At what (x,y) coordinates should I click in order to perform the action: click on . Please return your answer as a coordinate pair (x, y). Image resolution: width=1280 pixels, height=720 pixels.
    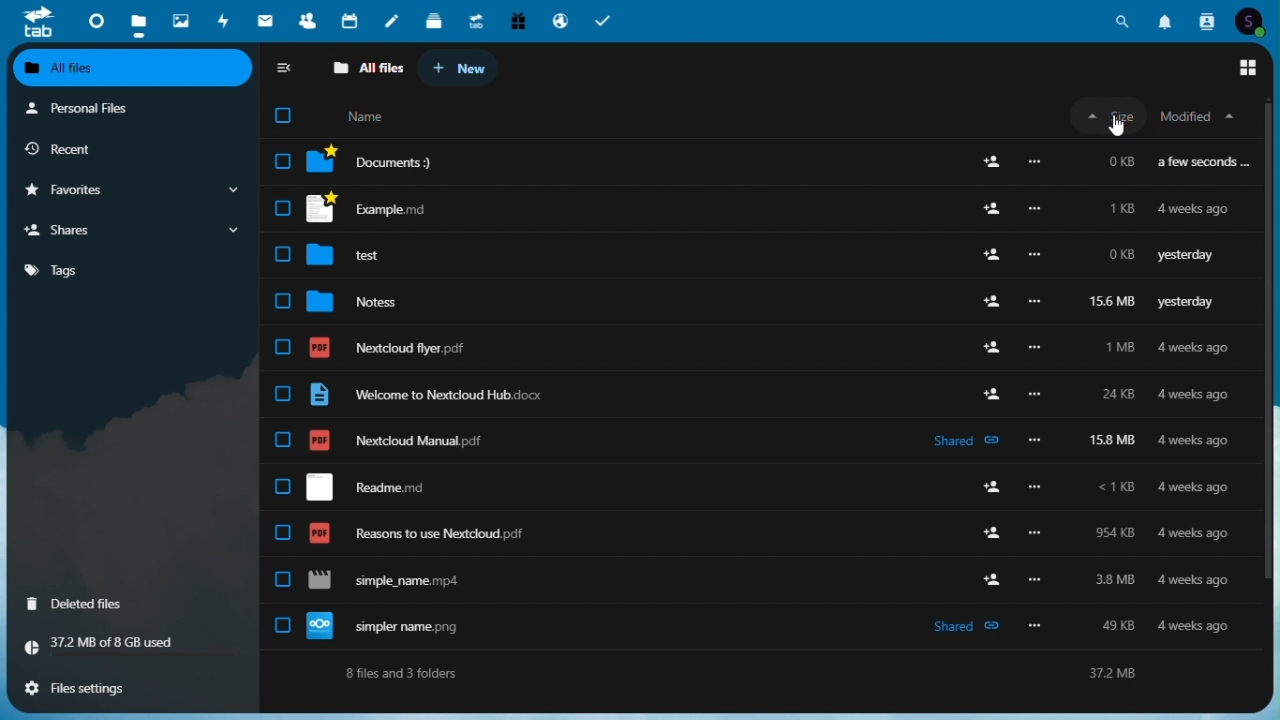
    Looking at the image, I should click on (131, 603).